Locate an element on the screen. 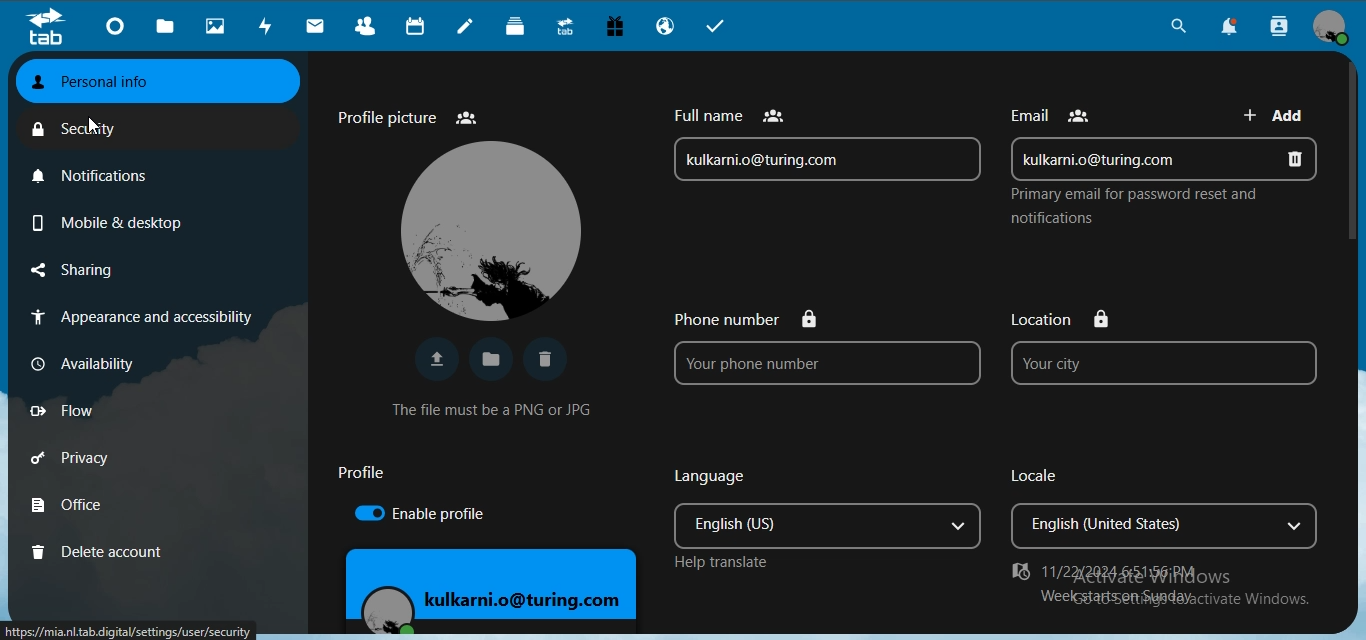  upgrade is located at coordinates (568, 29).